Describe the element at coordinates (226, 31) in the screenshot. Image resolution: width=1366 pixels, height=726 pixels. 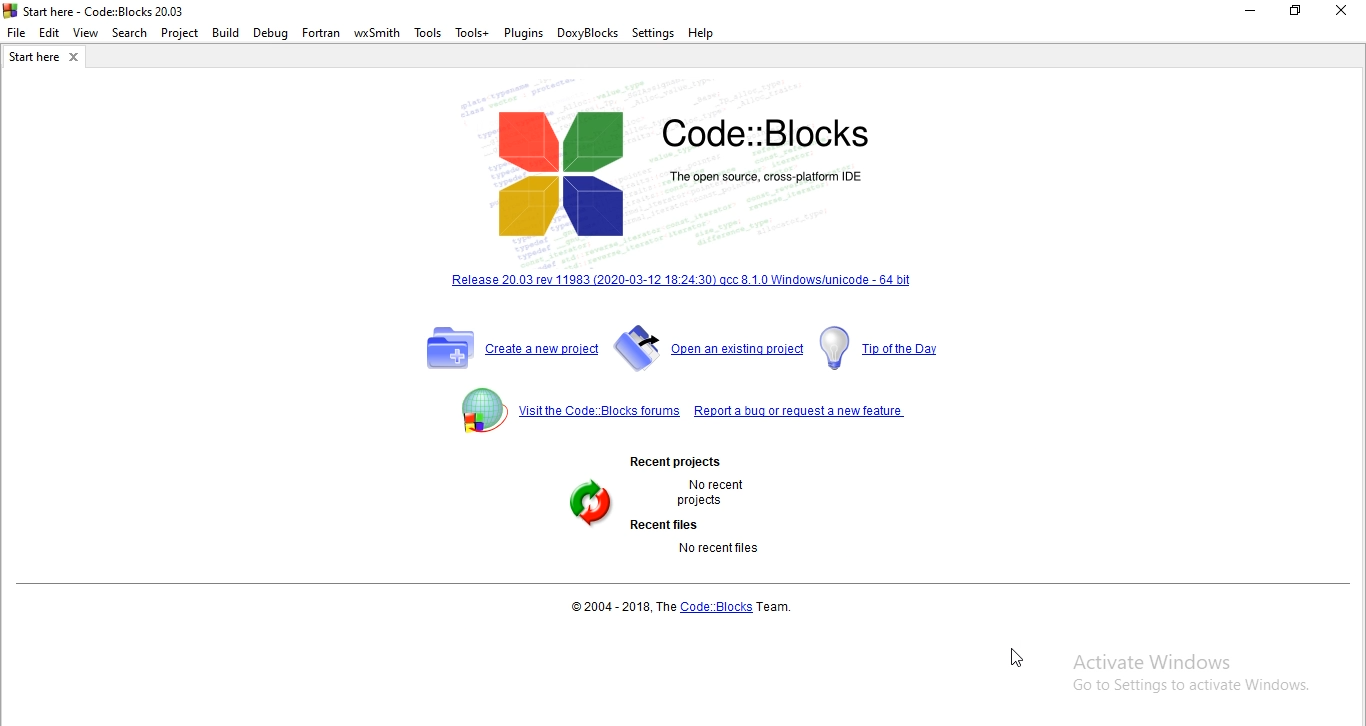
I see `Build` at that location.